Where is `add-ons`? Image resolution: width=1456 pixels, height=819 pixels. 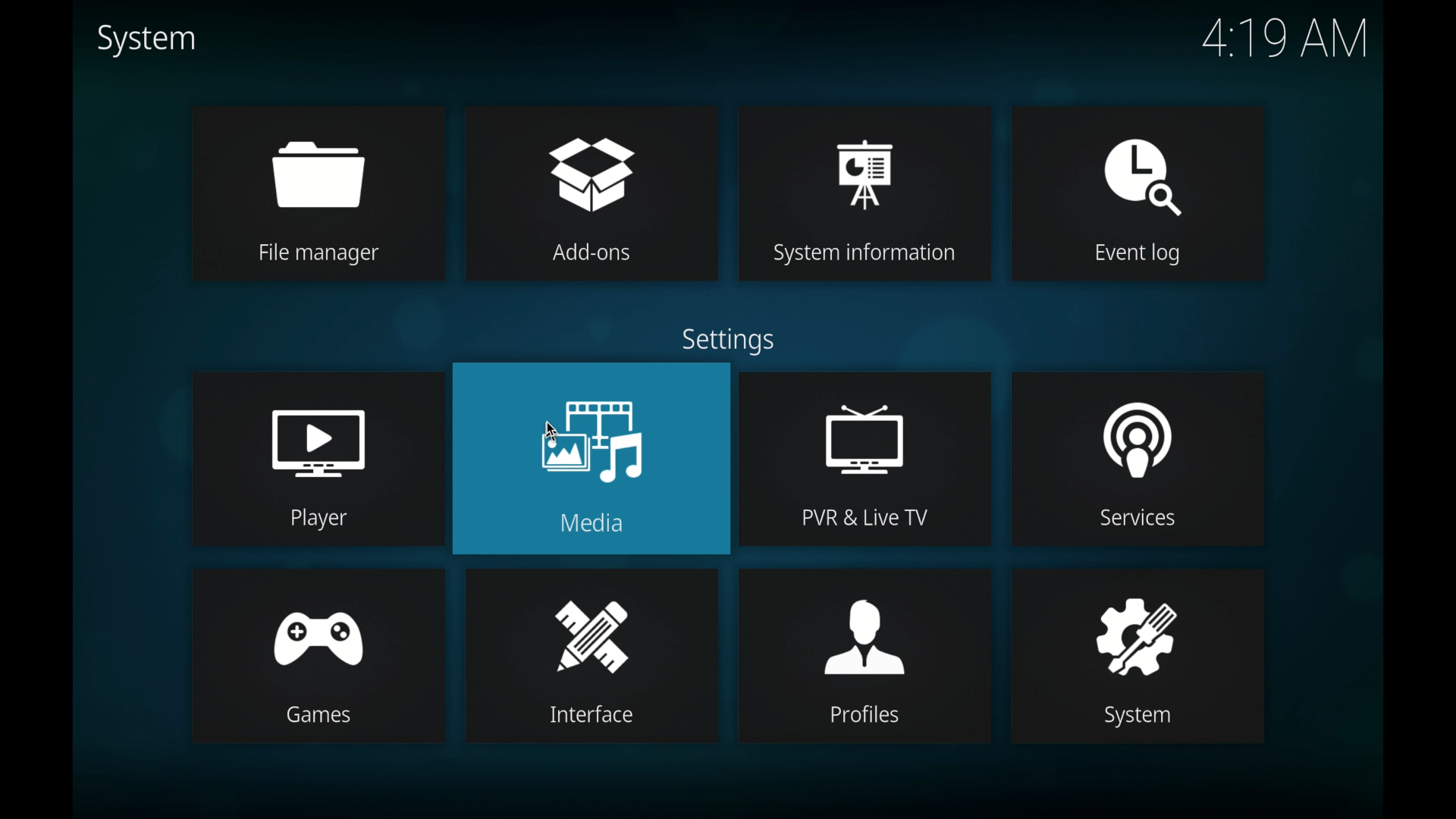 add-ons is located at coordinates (591, 193).